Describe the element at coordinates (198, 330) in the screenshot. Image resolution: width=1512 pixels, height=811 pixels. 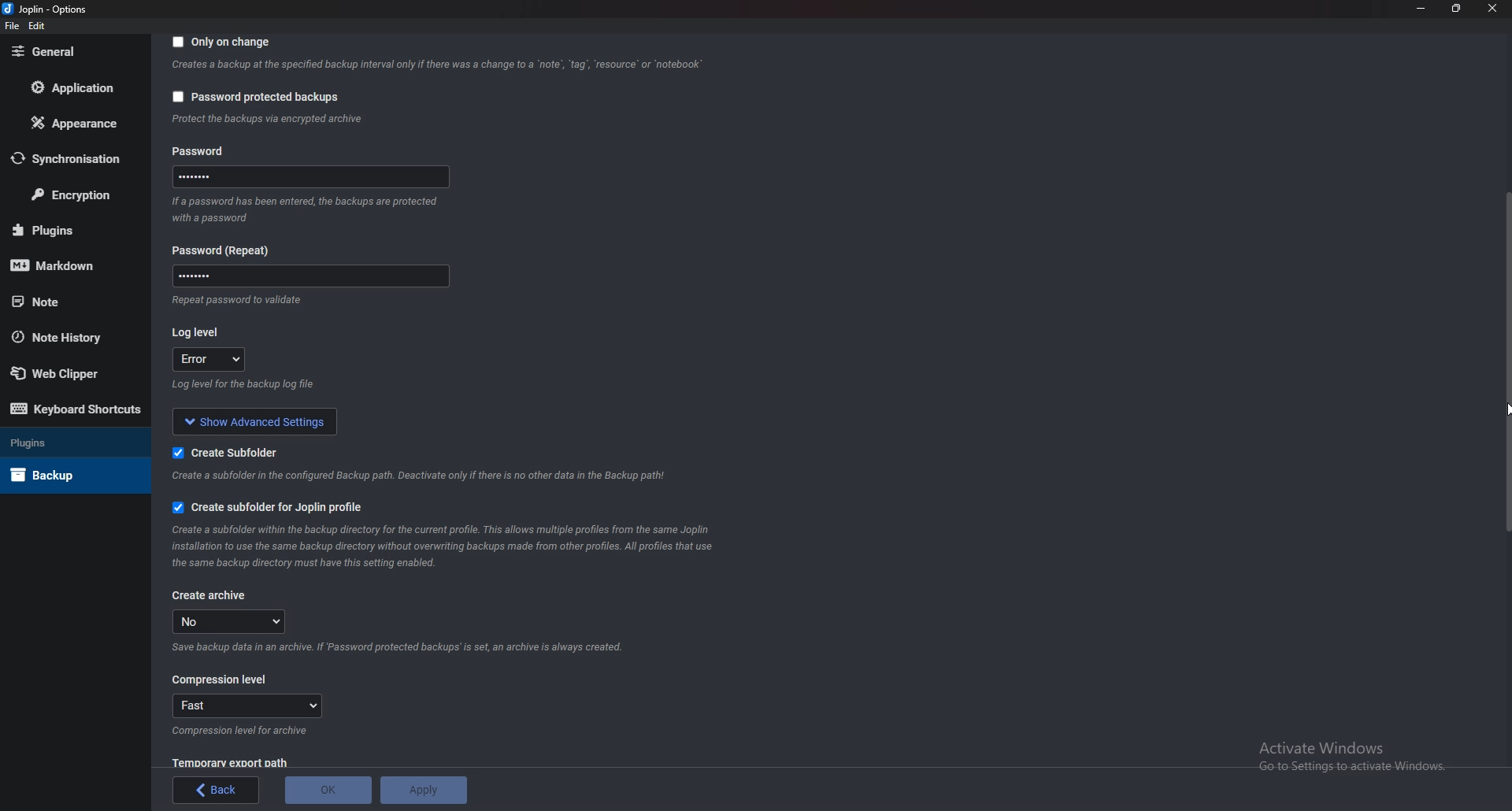
I see `Log level` at that location.